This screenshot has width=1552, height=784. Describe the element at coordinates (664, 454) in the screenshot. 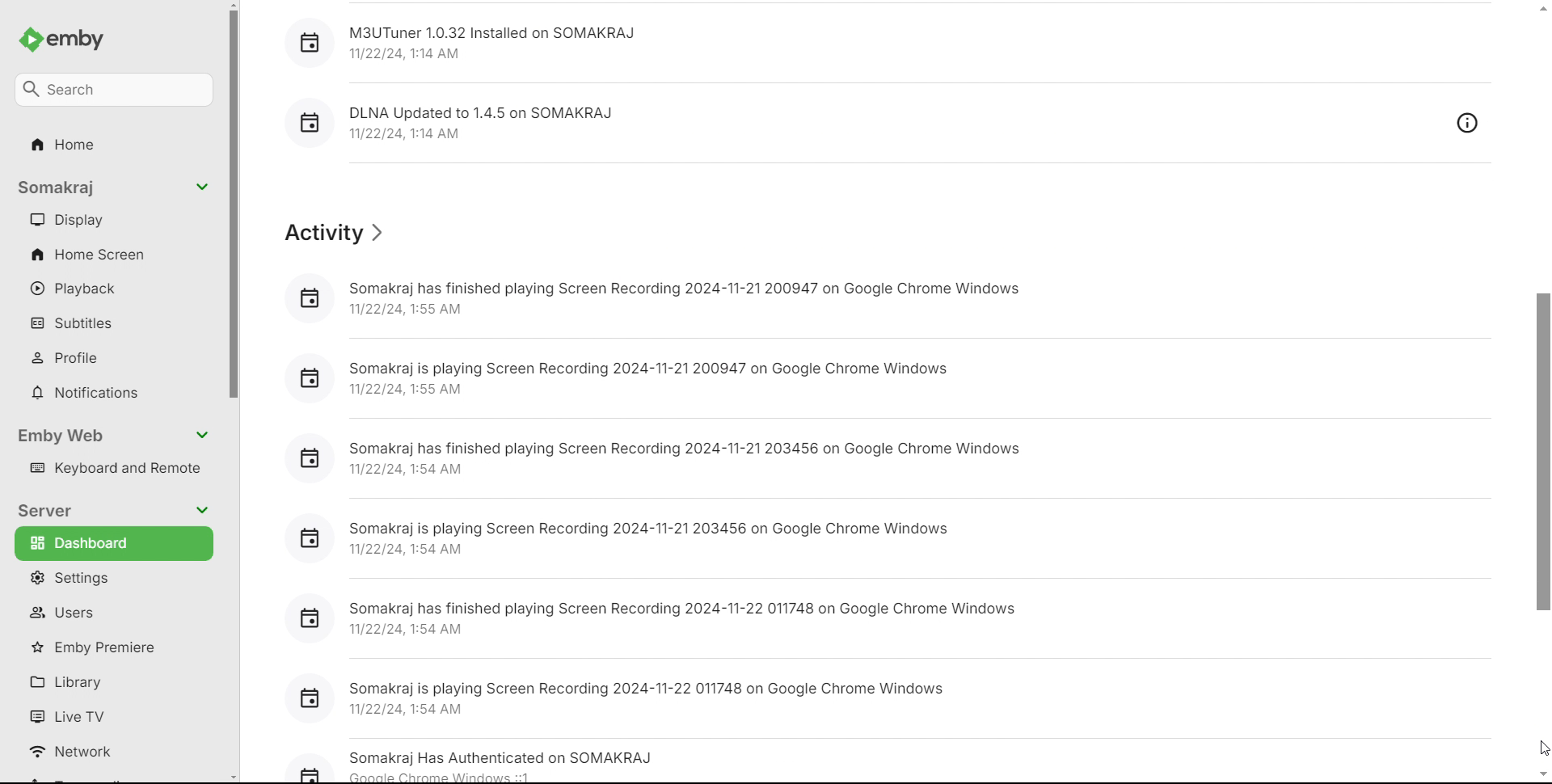

I see `[] Somakraj has finished playing Screen Recording 2024-11-21 203456 on Google Chrome Windows
11/22/24, 1:54 AM` at that location.